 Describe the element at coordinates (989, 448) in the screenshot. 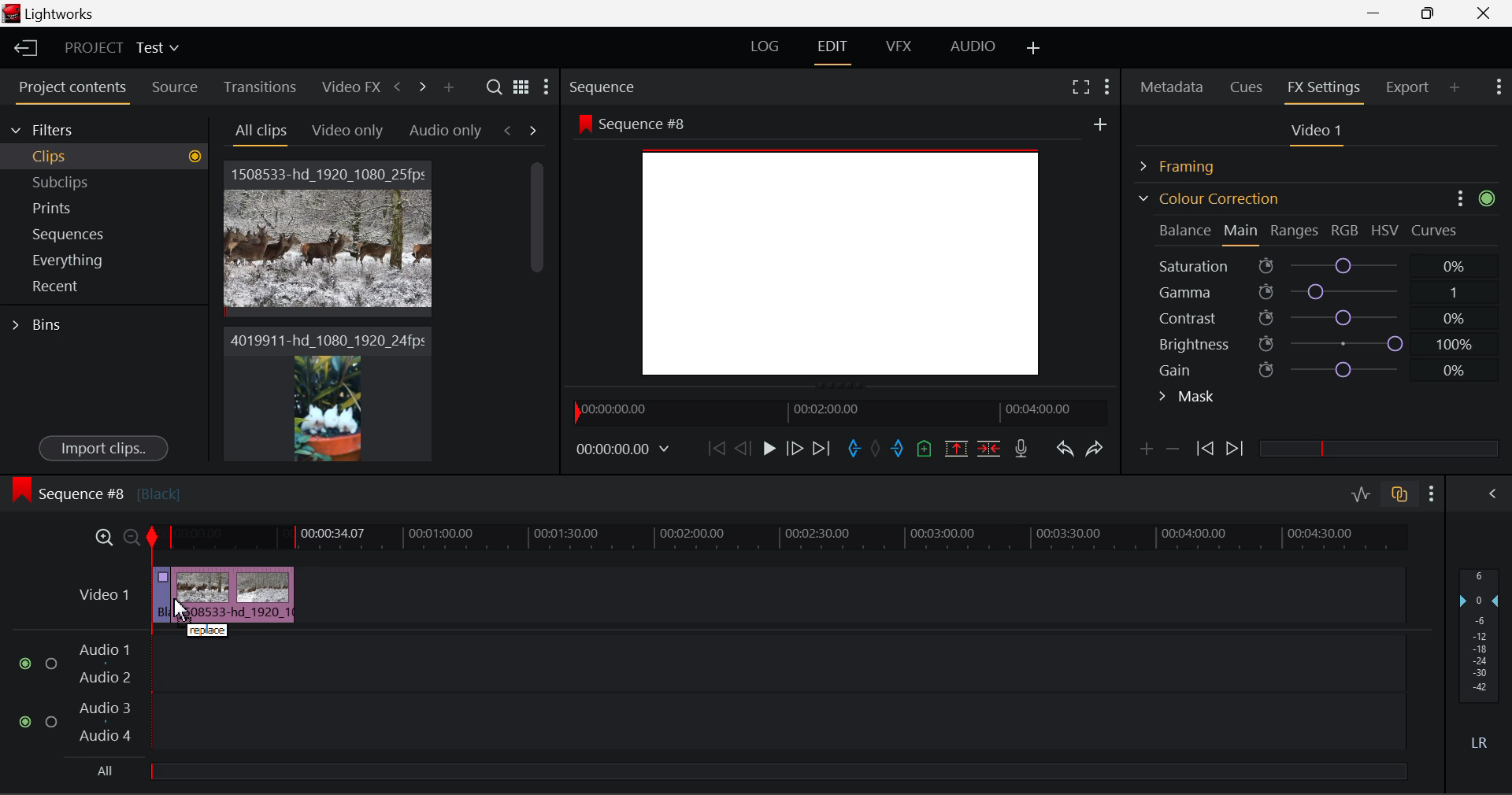

I see `Delete/Cut` at that location.